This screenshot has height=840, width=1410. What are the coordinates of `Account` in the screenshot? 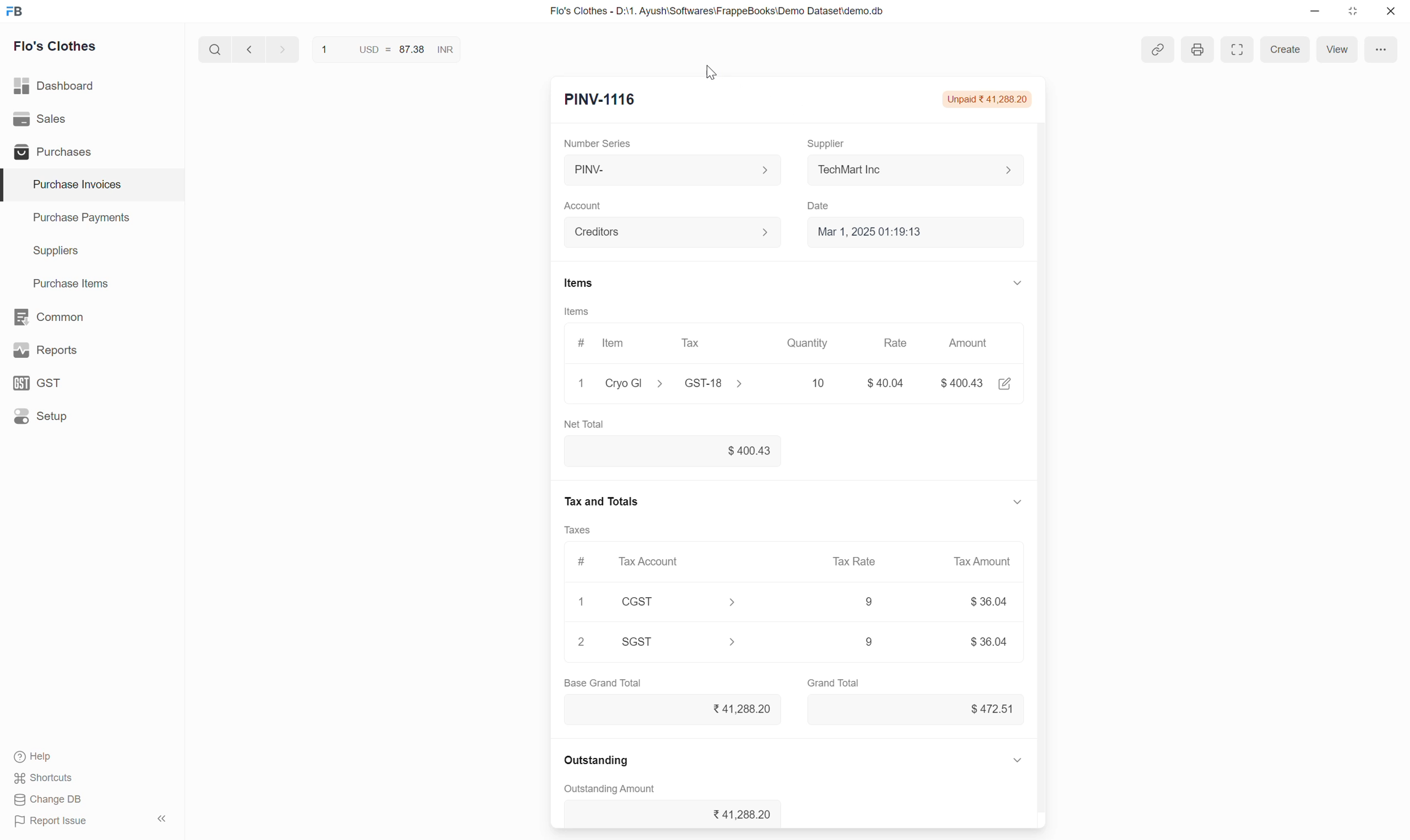 It's located at (586, 202).